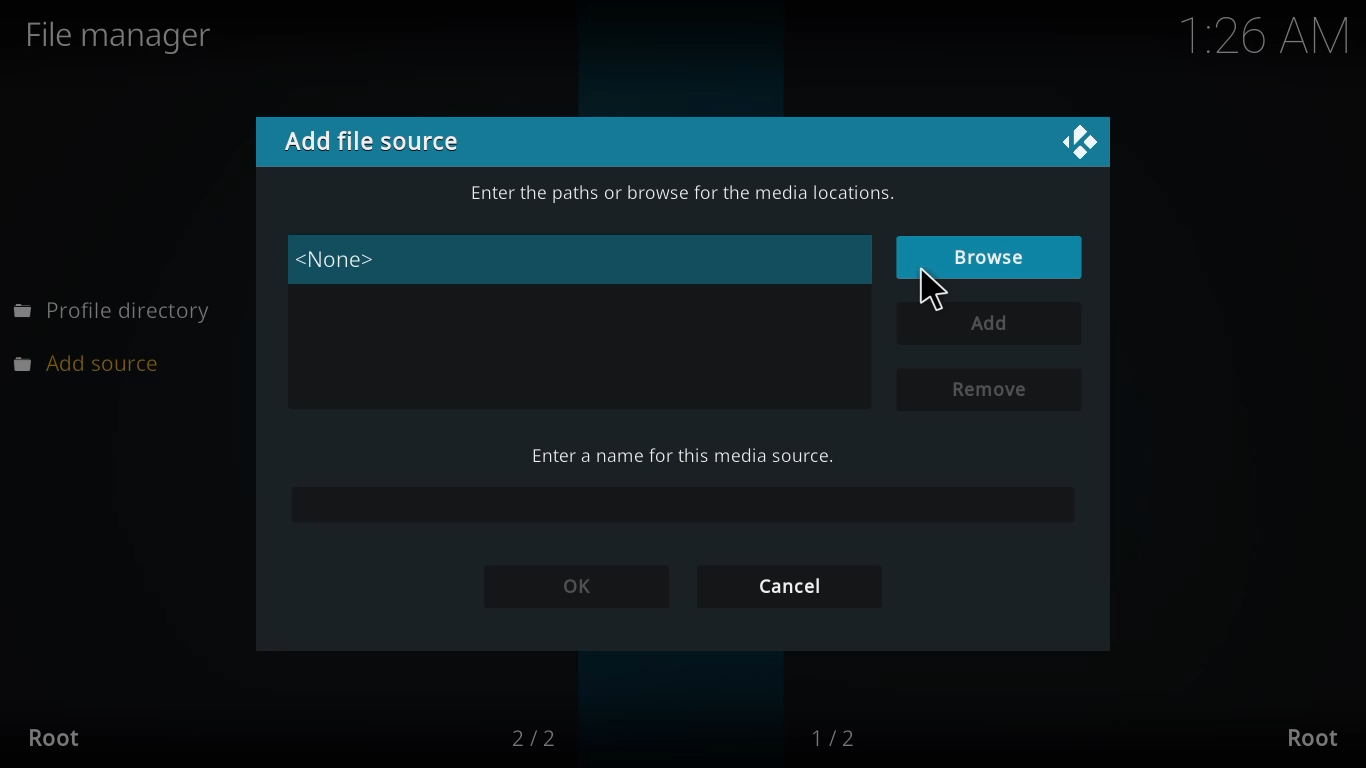  I want to click on none, so click(340, 260).